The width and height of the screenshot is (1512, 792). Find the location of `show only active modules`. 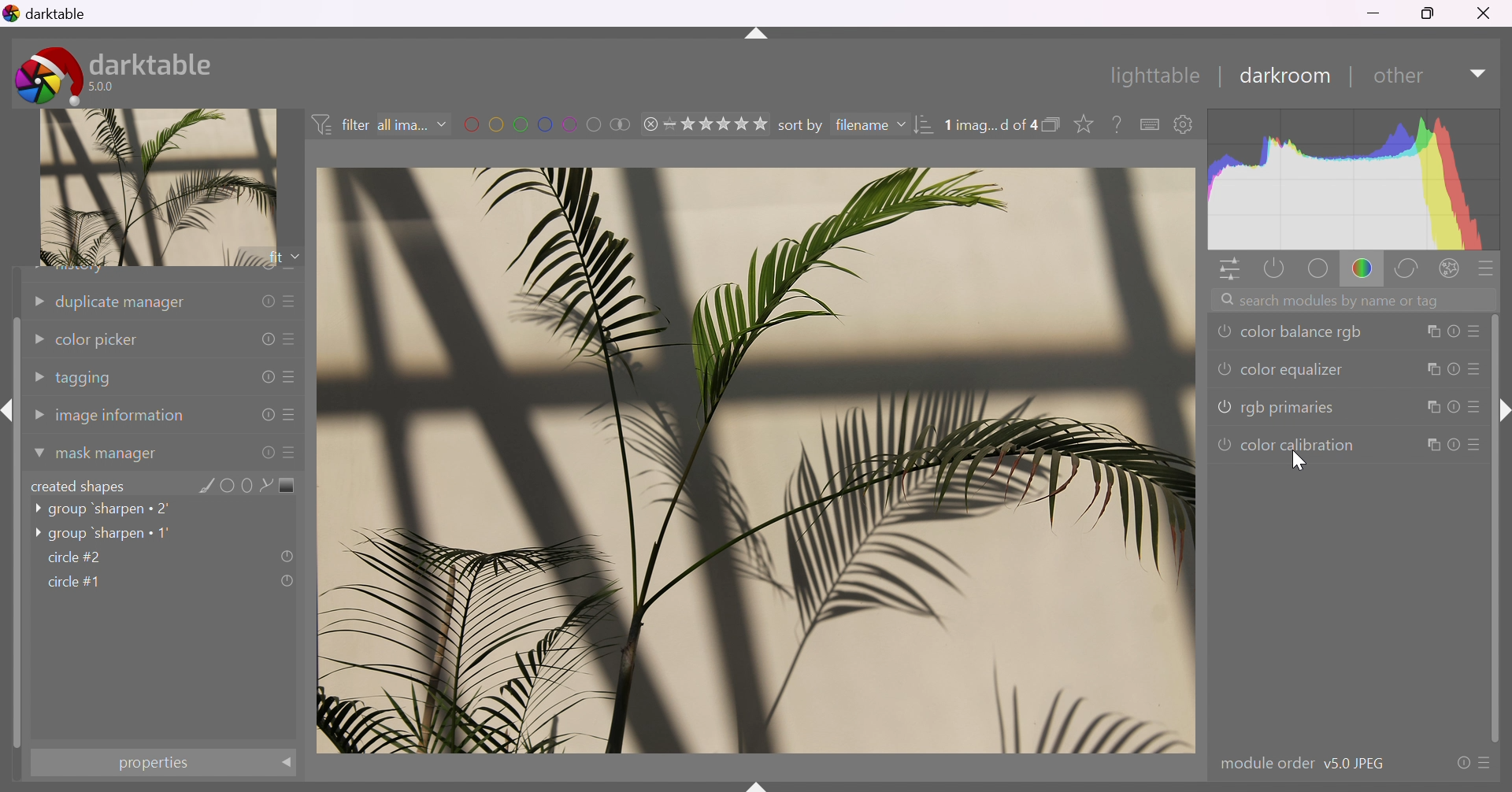

show only active modules is located at coordinates (1274, 268).